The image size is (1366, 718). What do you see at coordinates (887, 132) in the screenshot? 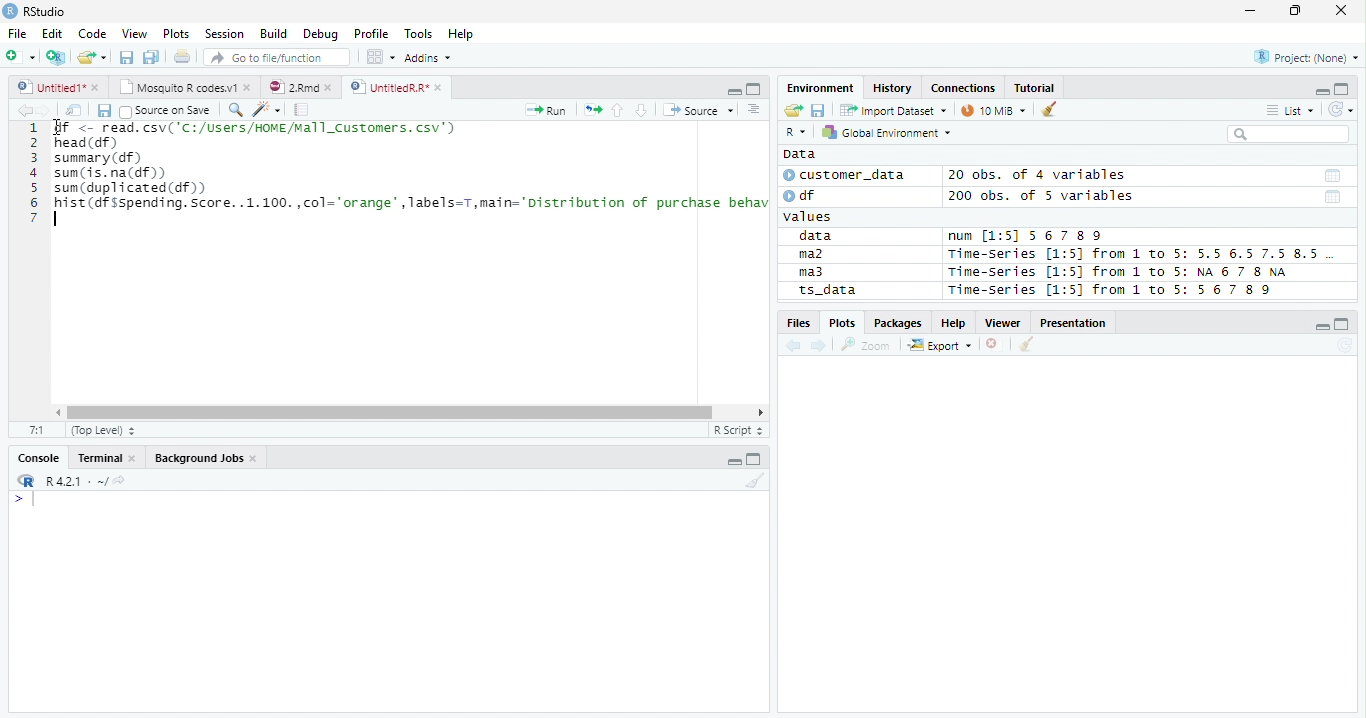
I see `Global Environment` at bounding box center [887, 132].